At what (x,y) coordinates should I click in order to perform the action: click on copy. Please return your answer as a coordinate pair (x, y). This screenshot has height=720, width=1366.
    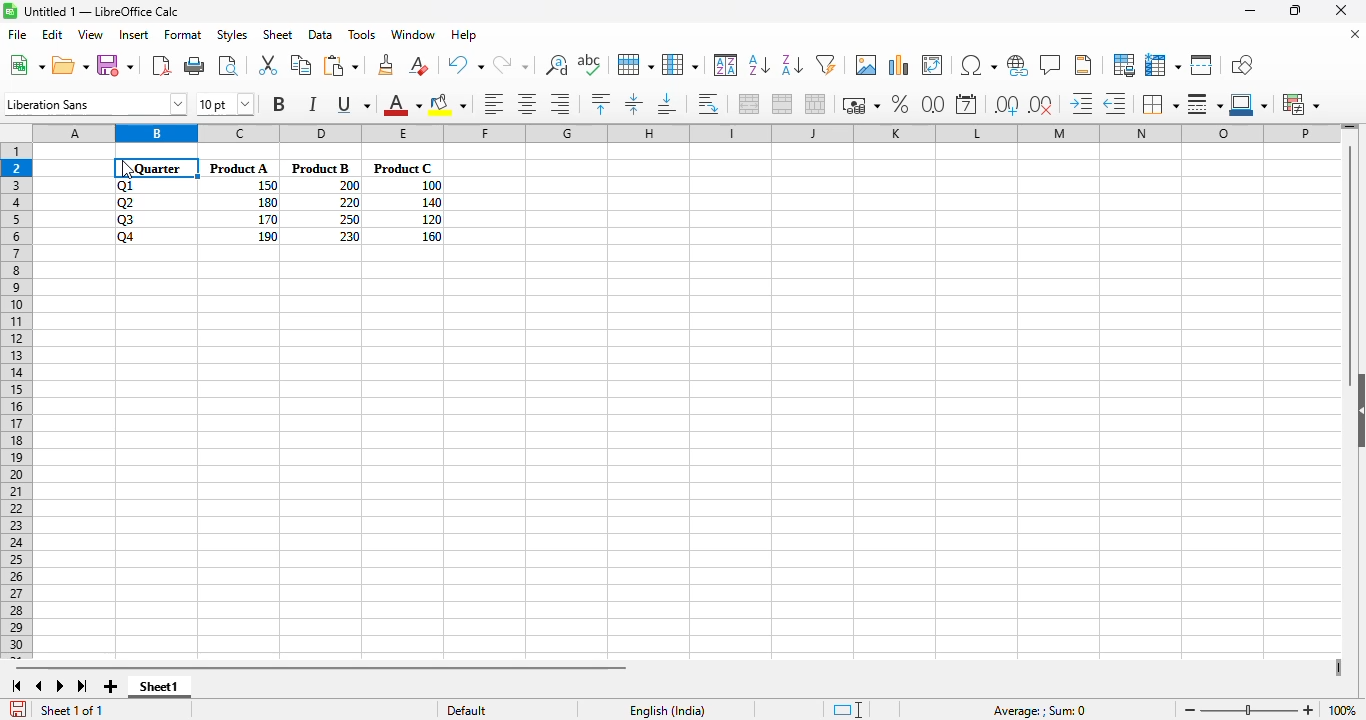
    Looking at the image, I should click on (301, 65).